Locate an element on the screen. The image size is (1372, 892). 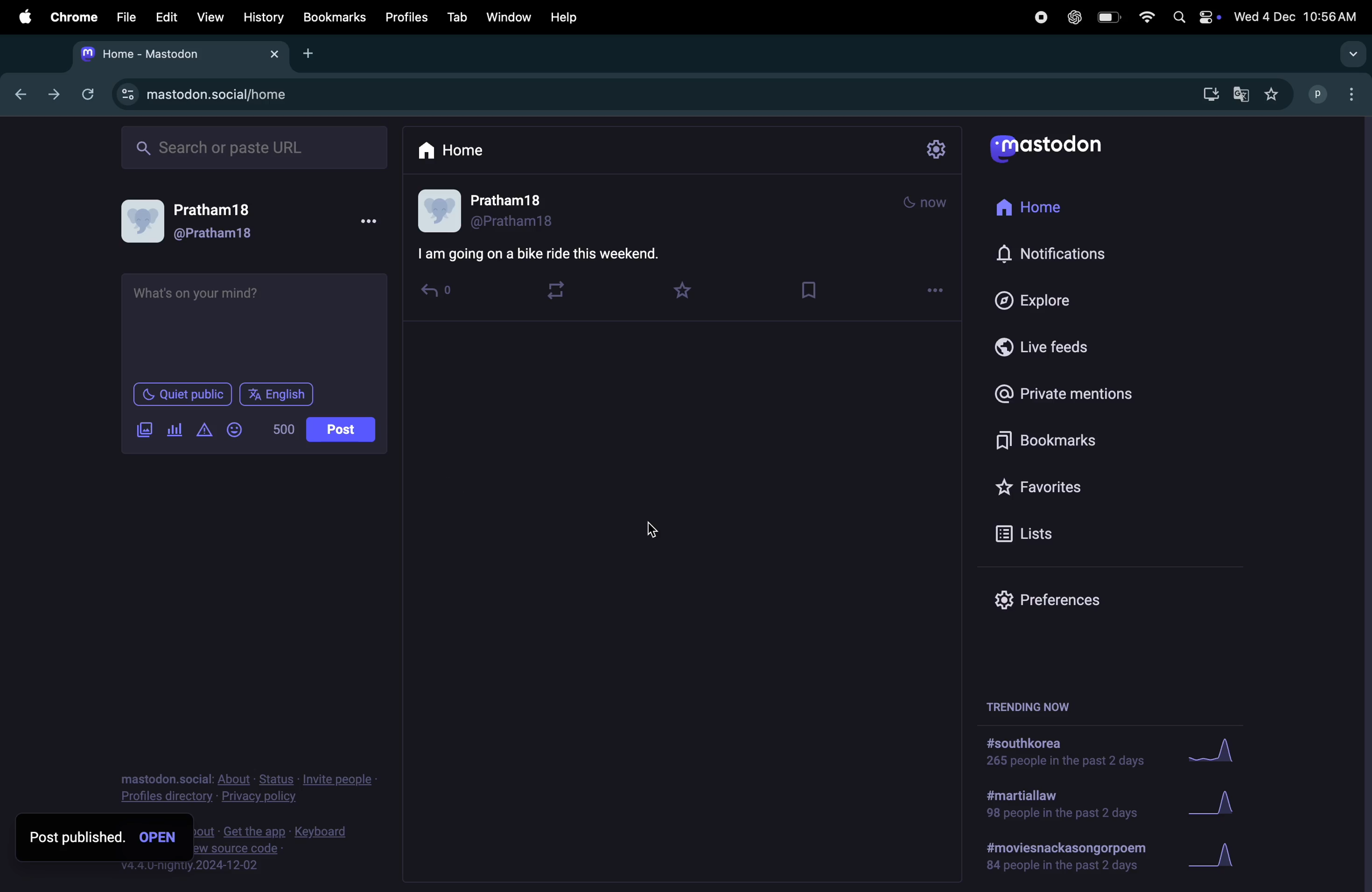
emoji is located at coordinates (236, 430).